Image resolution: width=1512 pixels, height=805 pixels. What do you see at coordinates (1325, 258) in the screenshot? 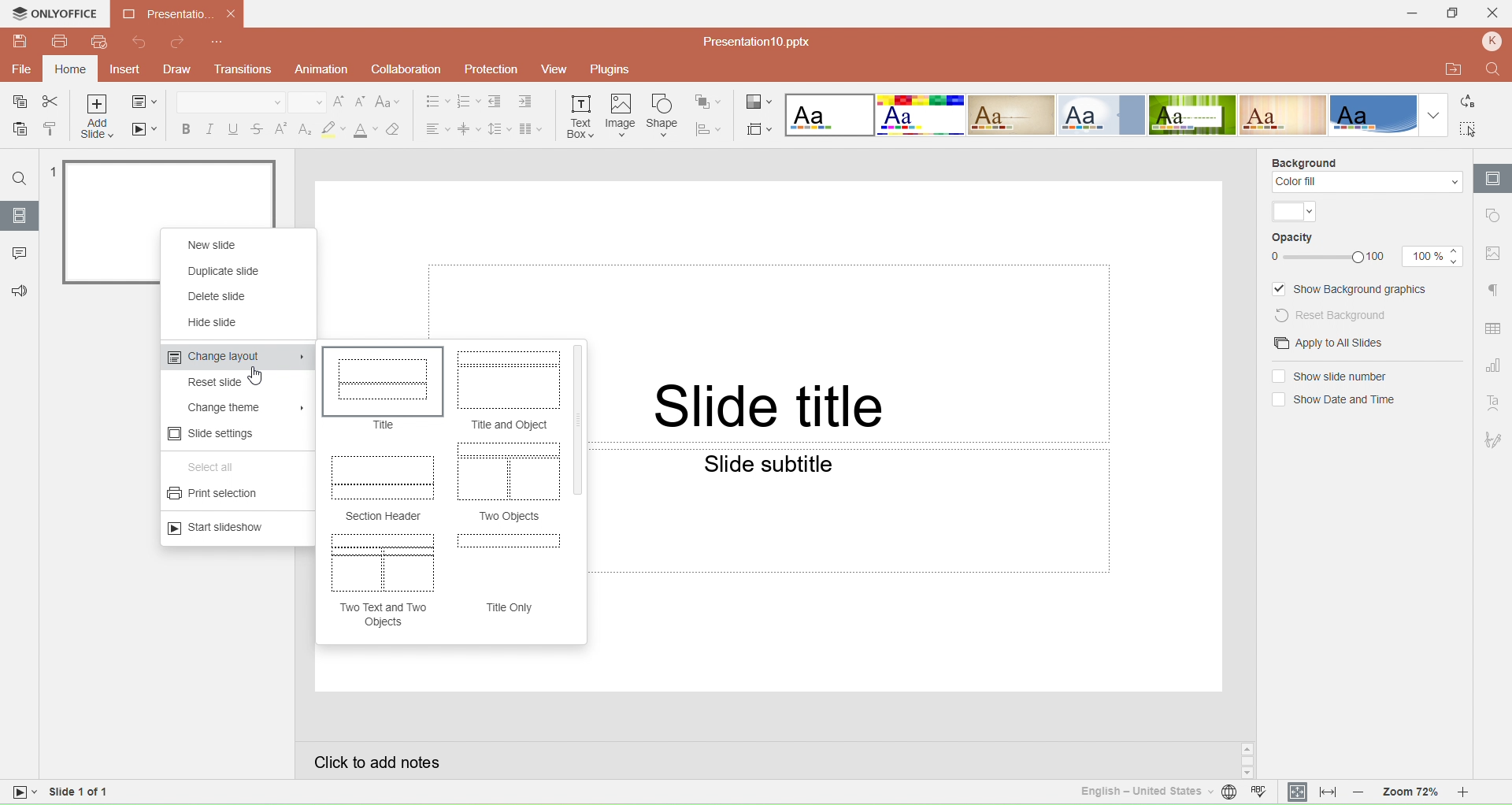
I see `Opacity Slider` at bounding box center [1325, 258].